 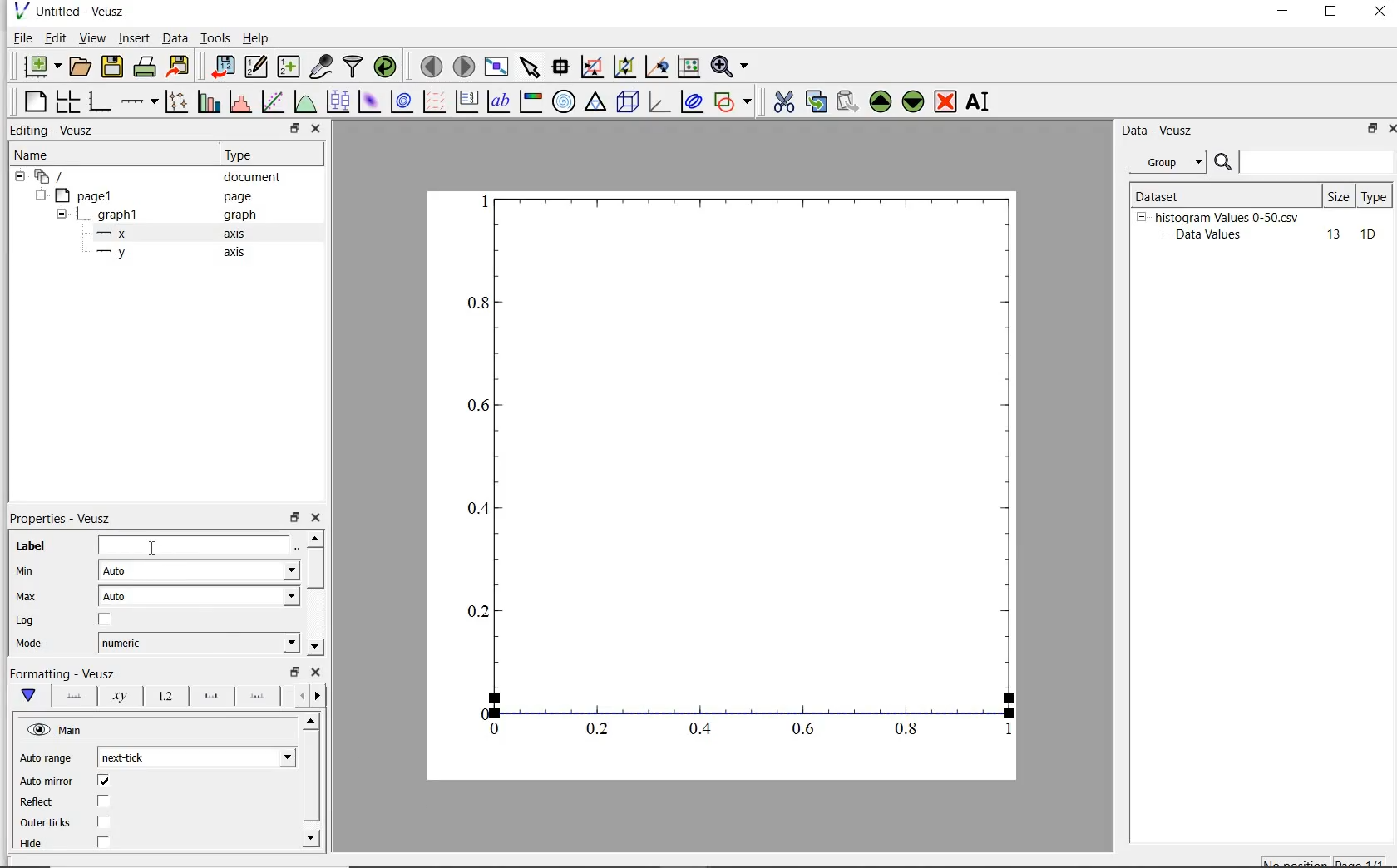 What do you see at coordinates (314, 538) in the screenshot?
I see `move up` at bounding box center [314, 538].